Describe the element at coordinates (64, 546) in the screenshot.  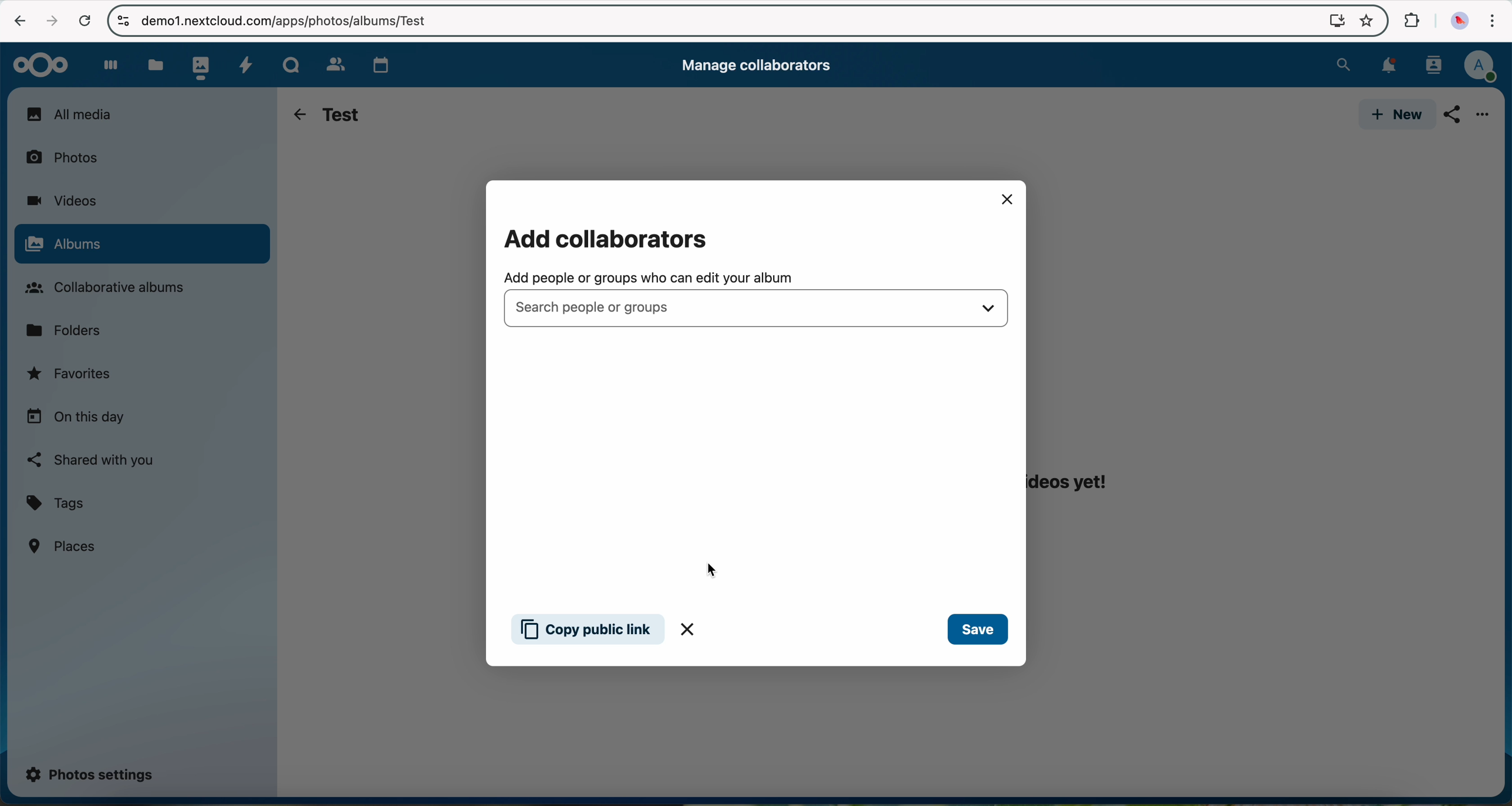
I see `places` at that location.